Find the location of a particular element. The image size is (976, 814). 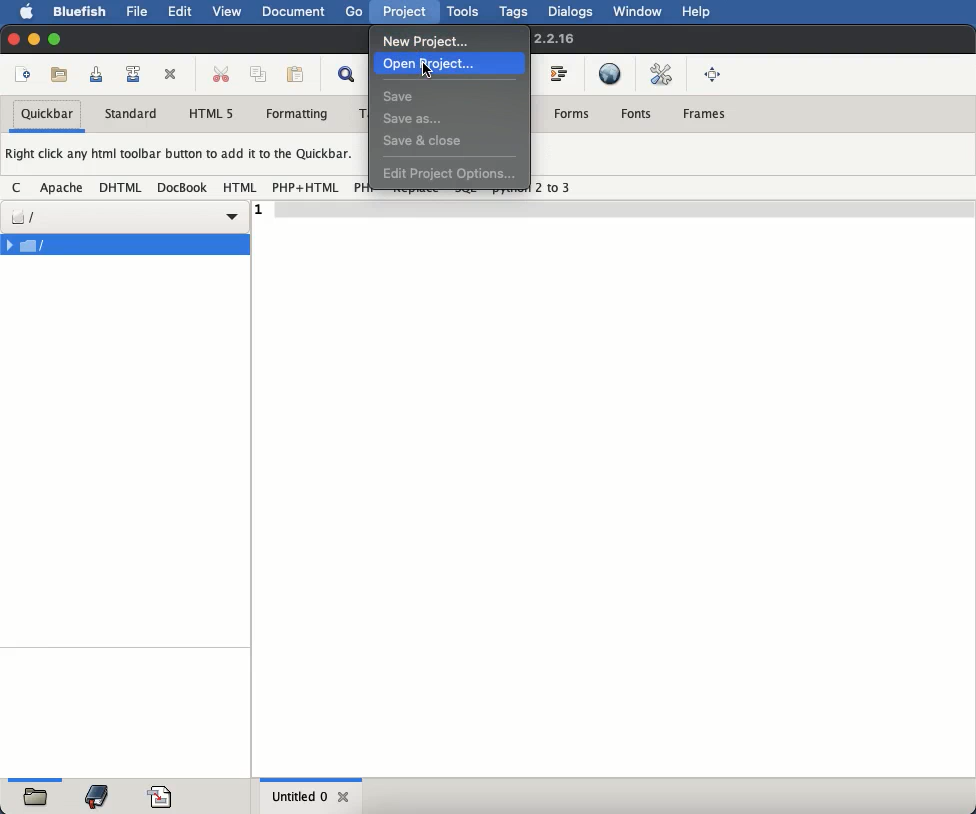

fonts is located at coordinates (638, 114).